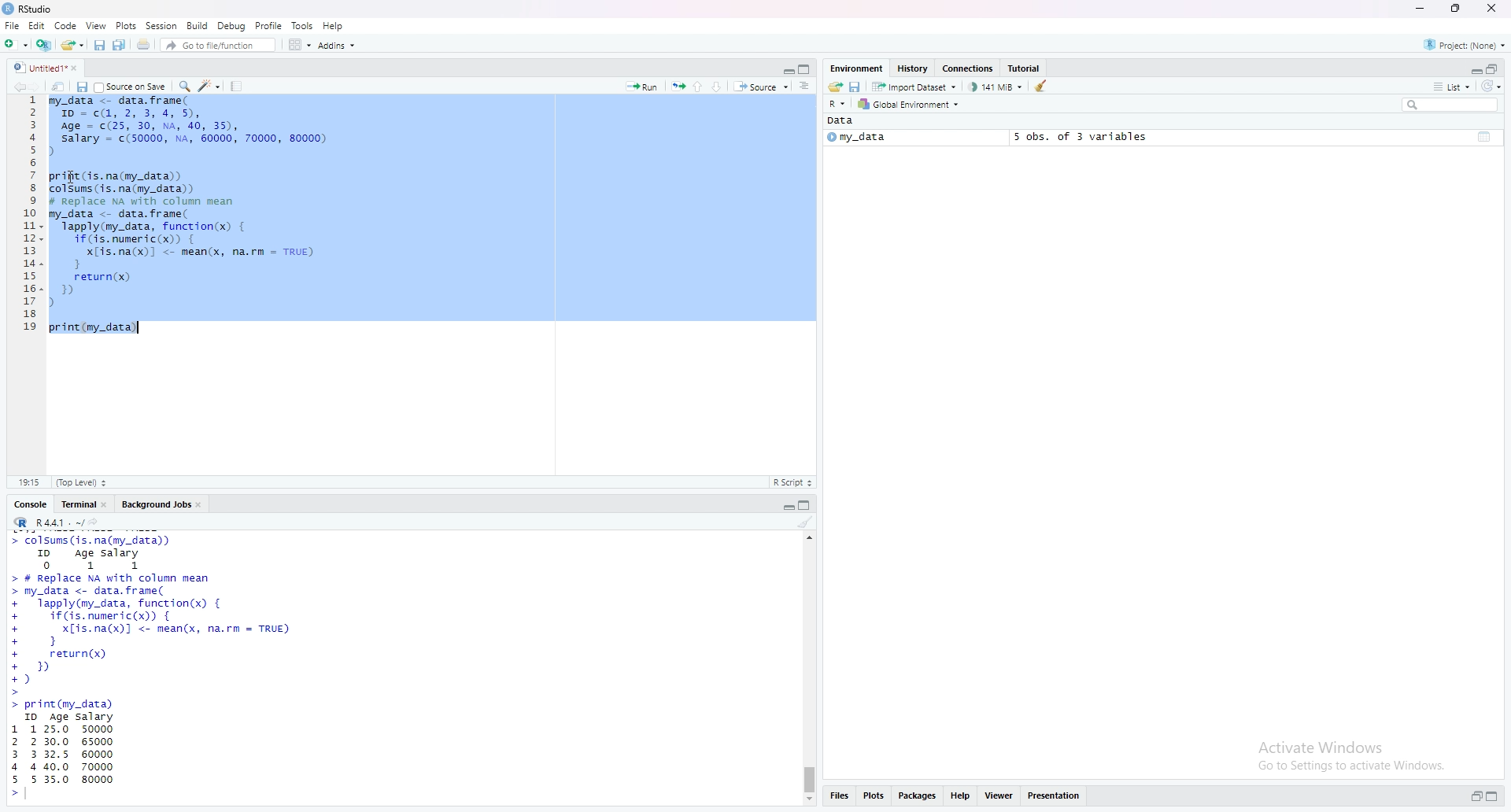 Image resolution: width=1511 pixels, height=812 pixels. I want to click on expand, so click(786, 70).